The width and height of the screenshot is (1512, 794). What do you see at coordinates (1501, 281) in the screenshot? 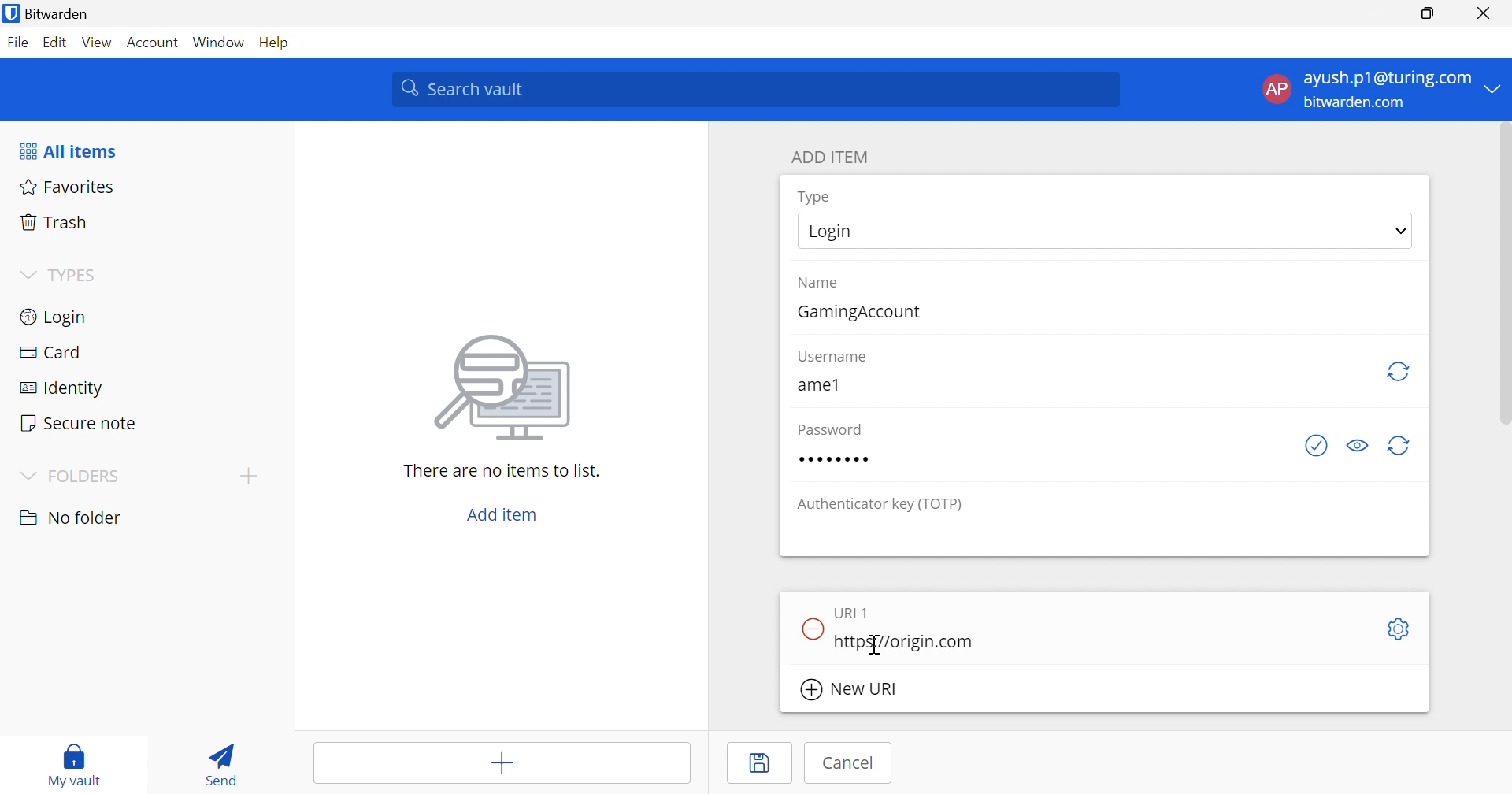
I see `scrollbar` at bounding box center [1501, 281].